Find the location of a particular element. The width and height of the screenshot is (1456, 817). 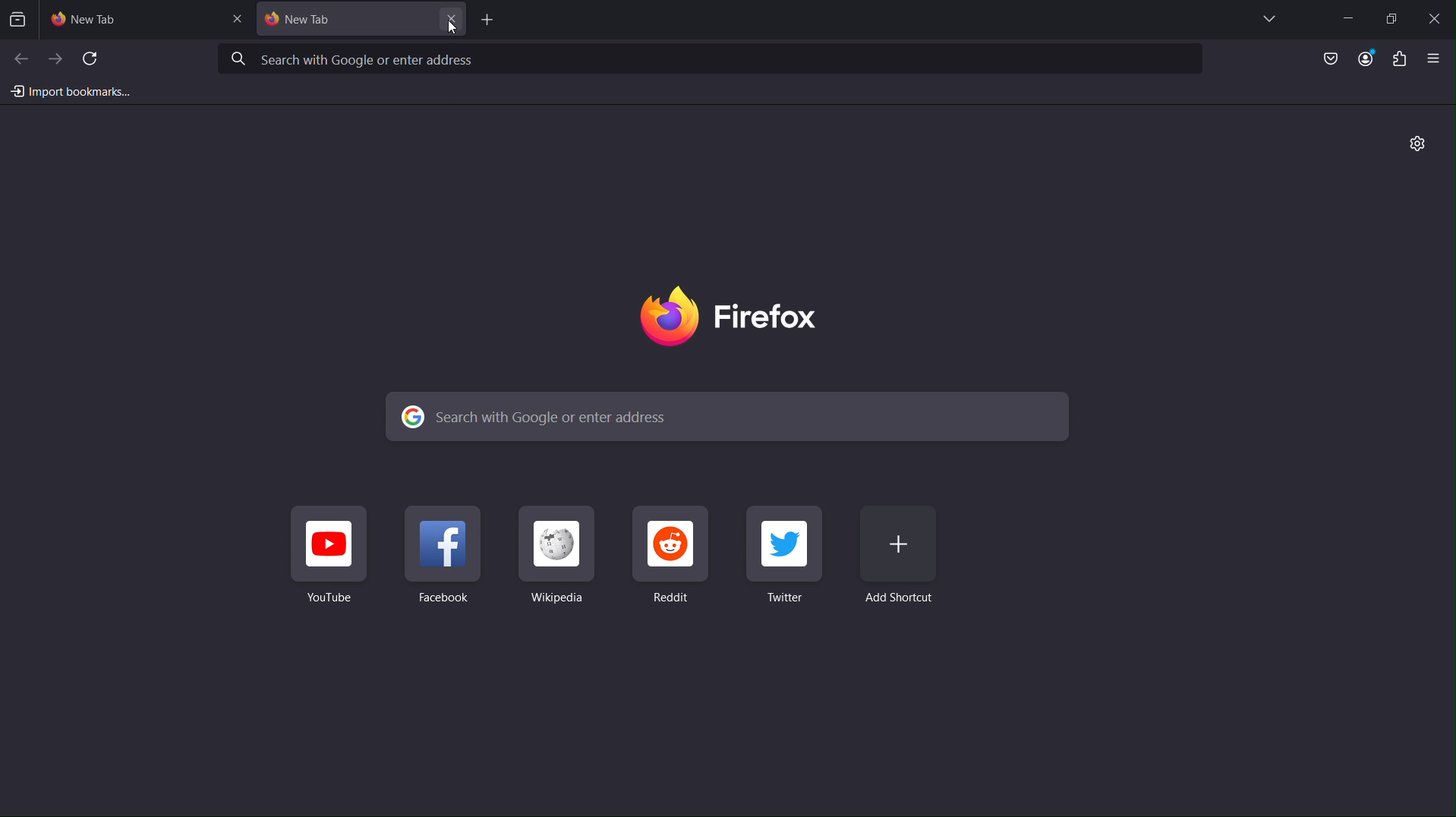

View recent browsing is located at coordinates (18, 17).